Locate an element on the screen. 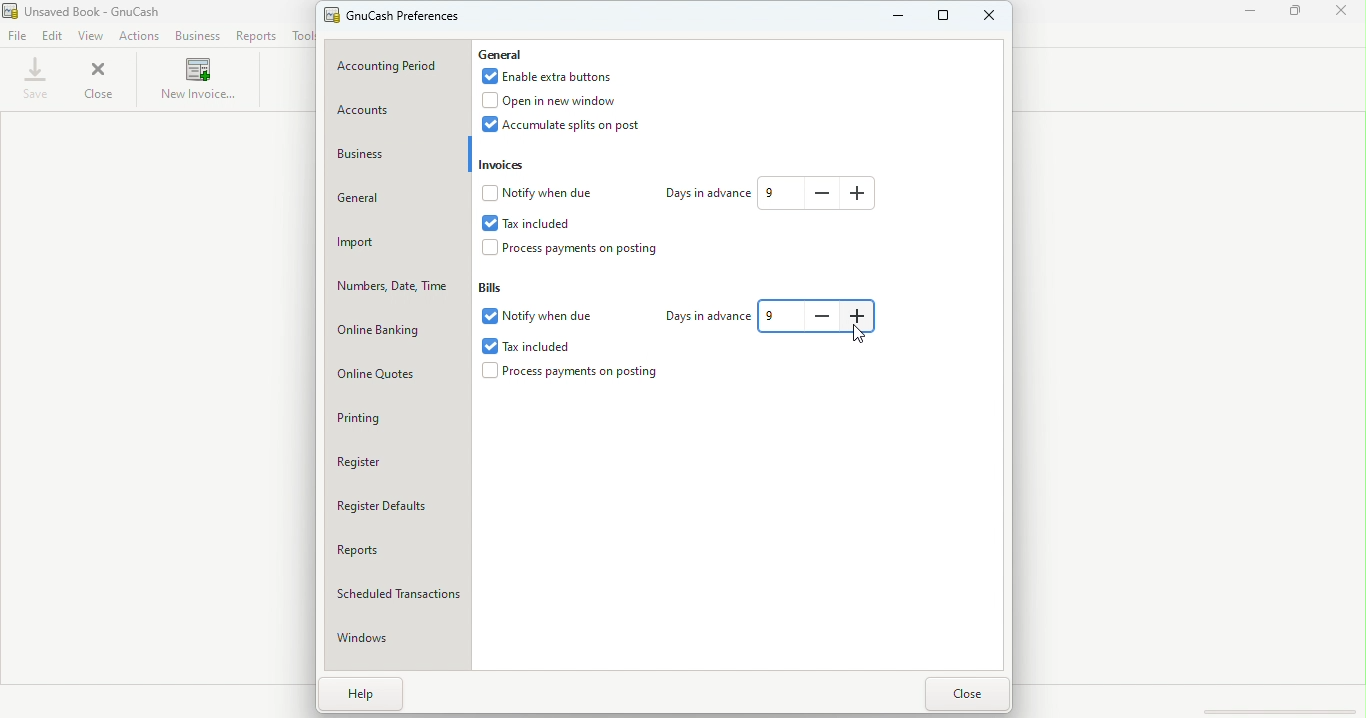 This screenshot has height=718, width=1366. Decrease is located at coordinates (827, 320).